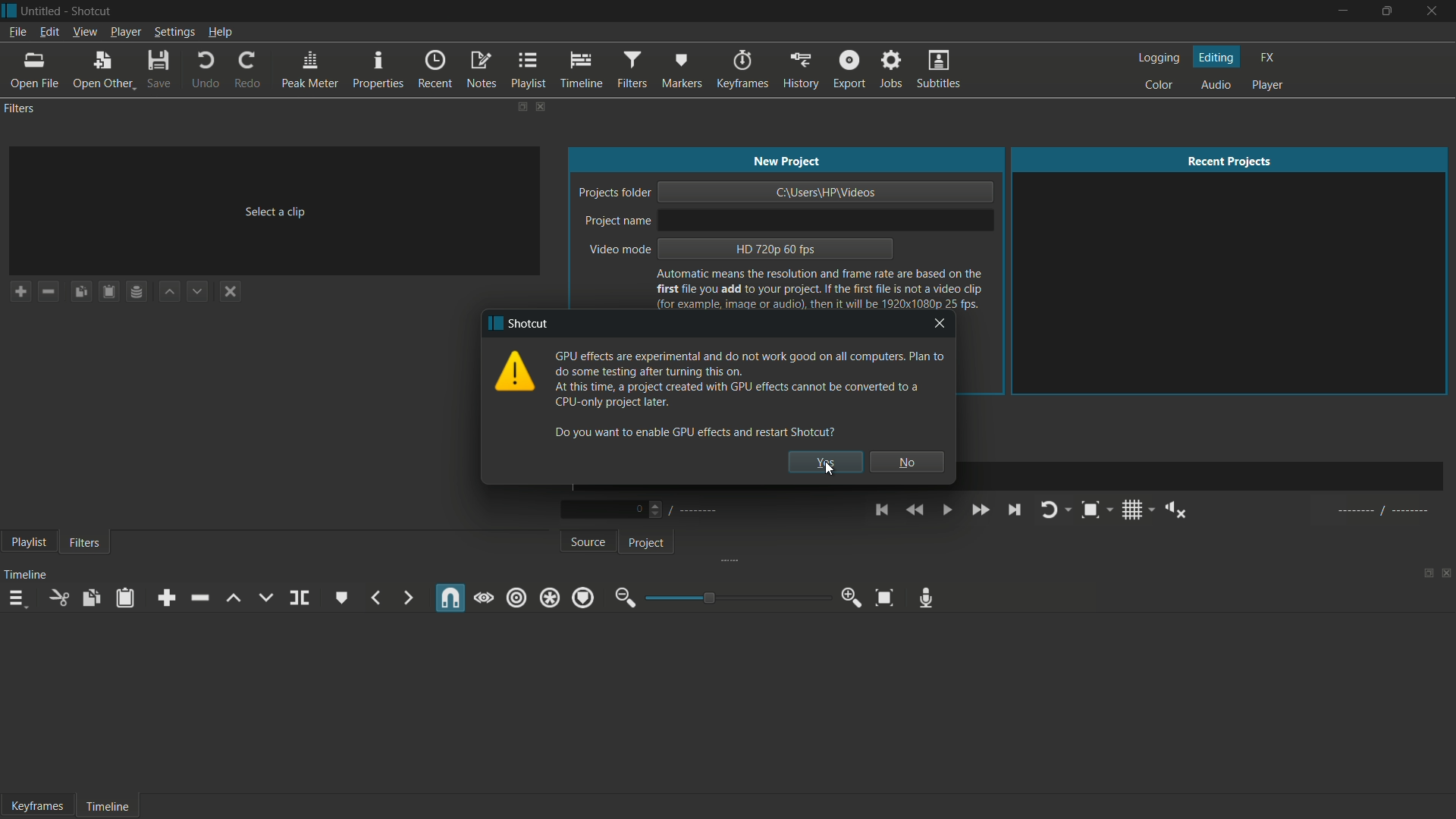 The image size is (1456, 819). I want to click on video mode, so click(618, 250).